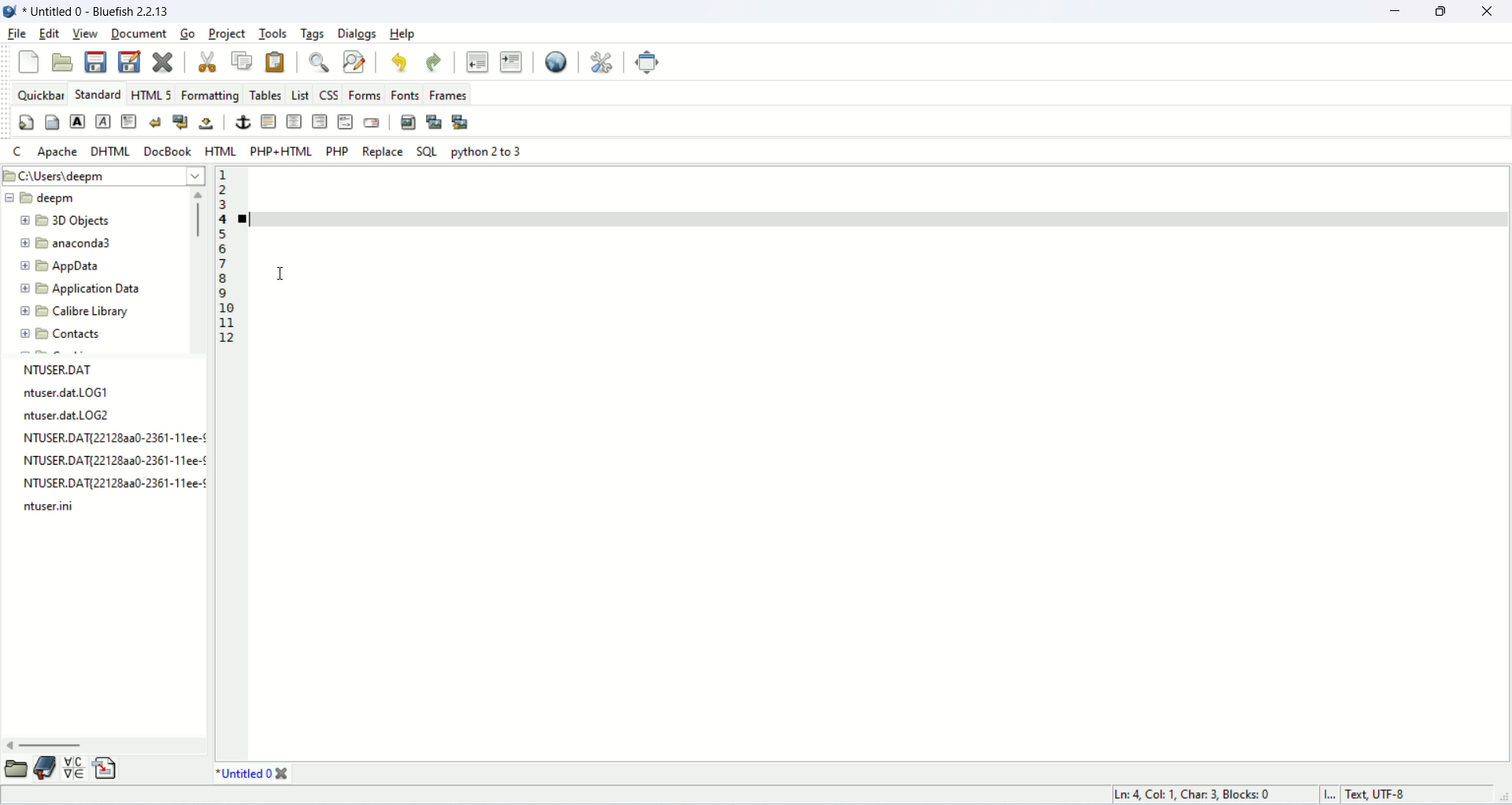 The height and width of the screenshot is (805, 1512). I want to click on insert image, so click(409, 123).